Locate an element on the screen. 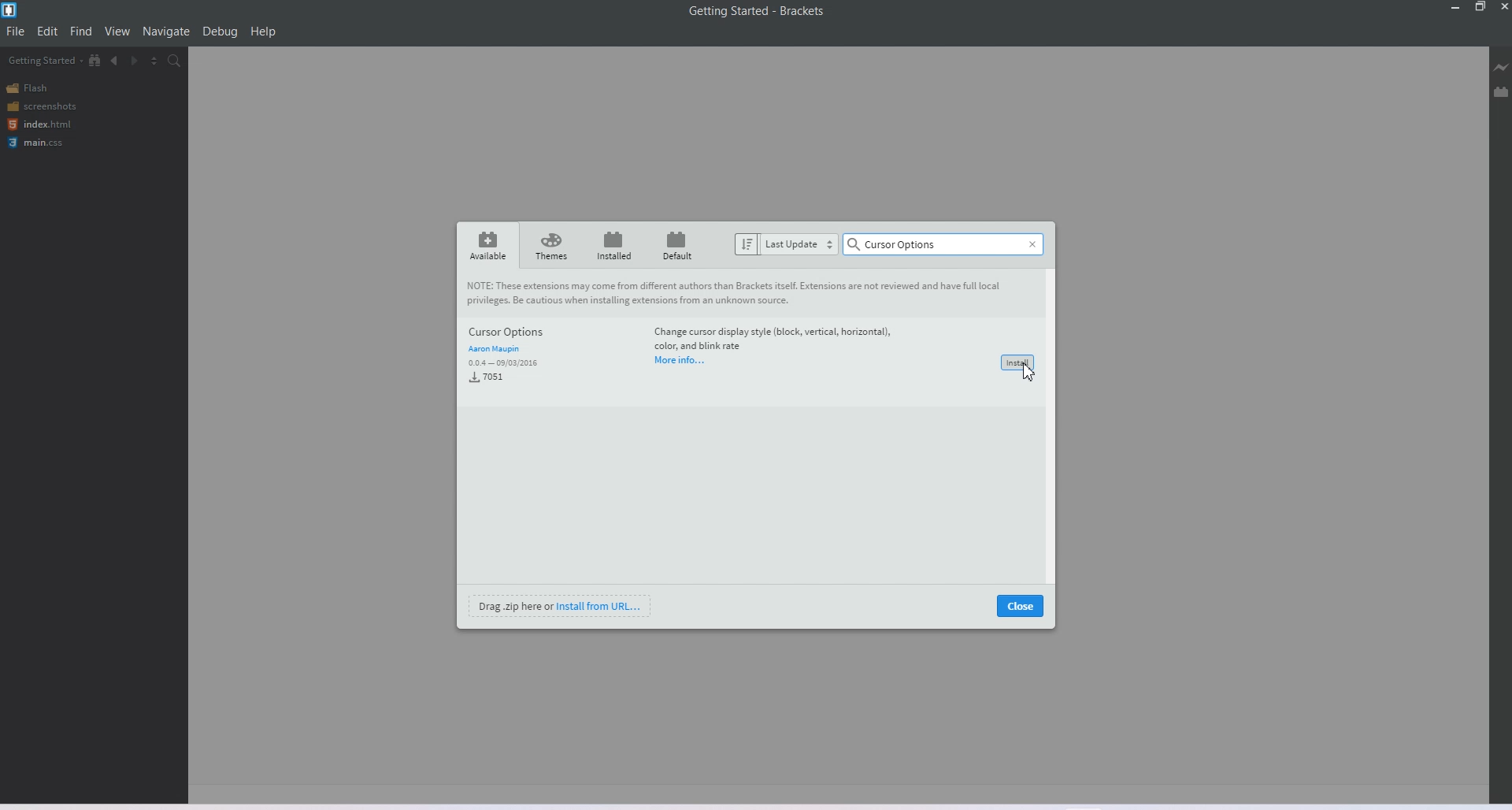  Maximize is located at coordinates (1480, 7).